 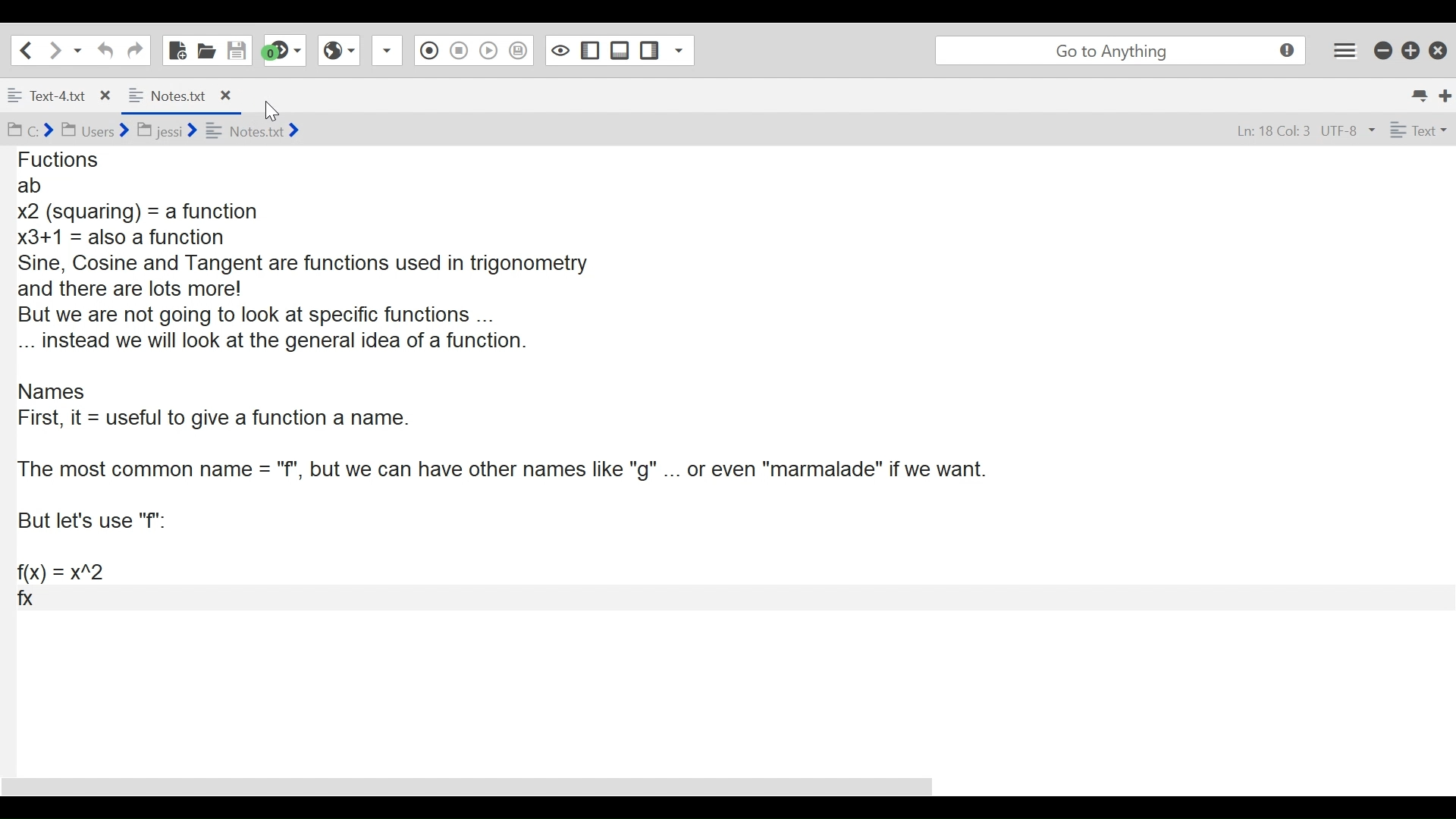 I want to click on Show/Hide Right Pane , so click(x=650, y=50).